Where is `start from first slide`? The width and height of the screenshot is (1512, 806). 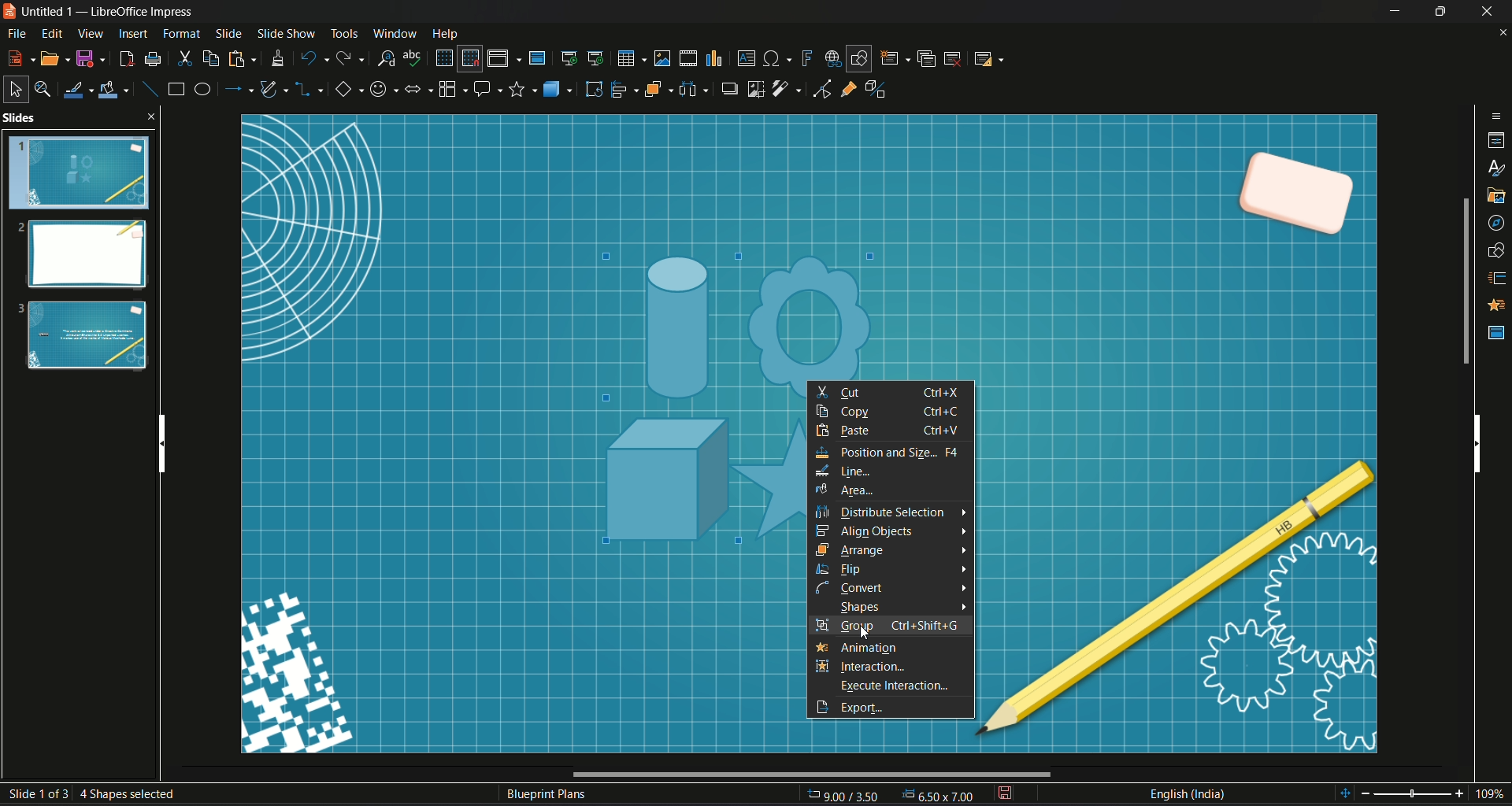
start from first slide is located at coordinates (568, 57).